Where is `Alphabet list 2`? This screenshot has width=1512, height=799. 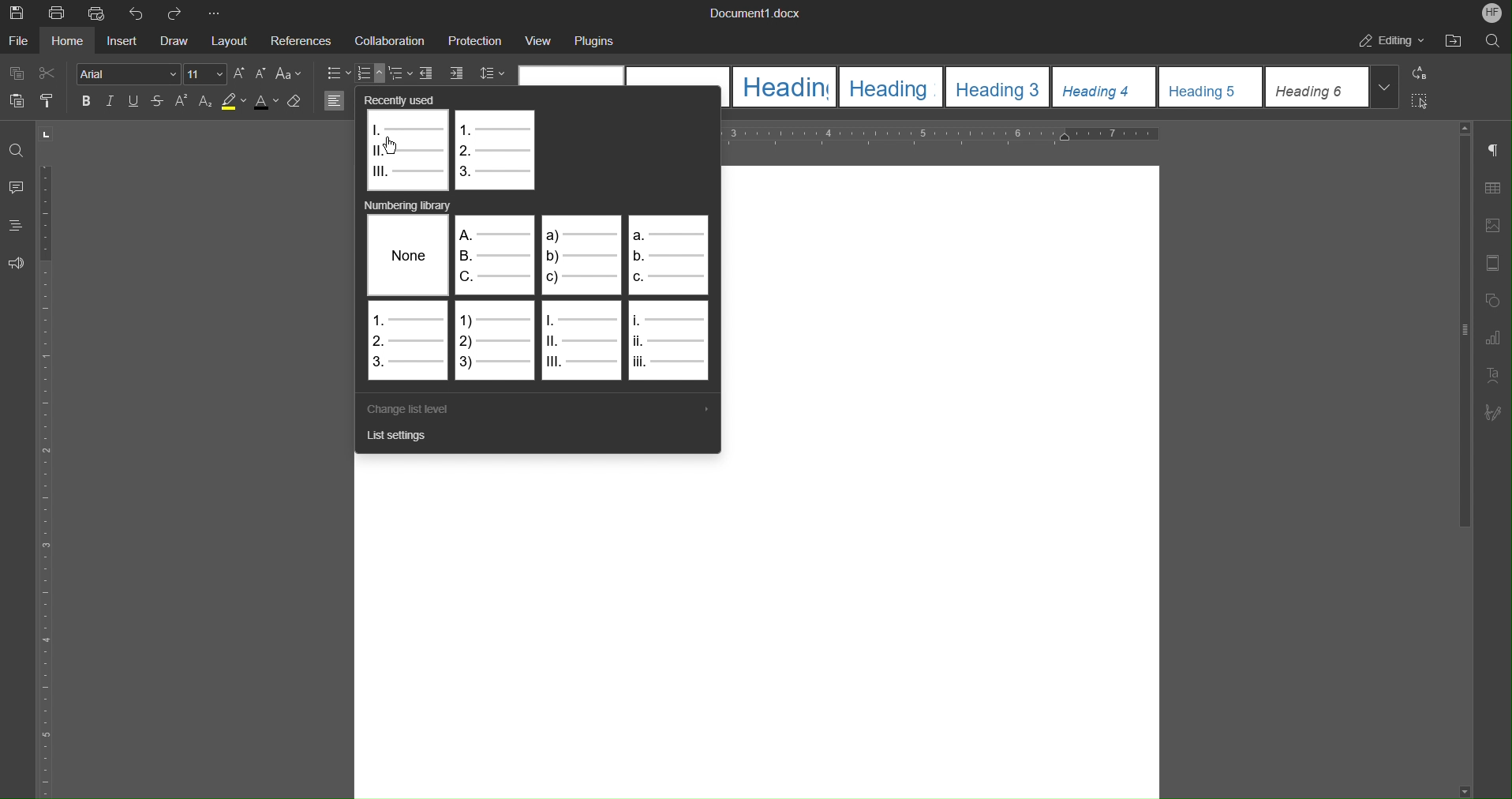
Alphabet list 2 is located at coordinates (584, 256).